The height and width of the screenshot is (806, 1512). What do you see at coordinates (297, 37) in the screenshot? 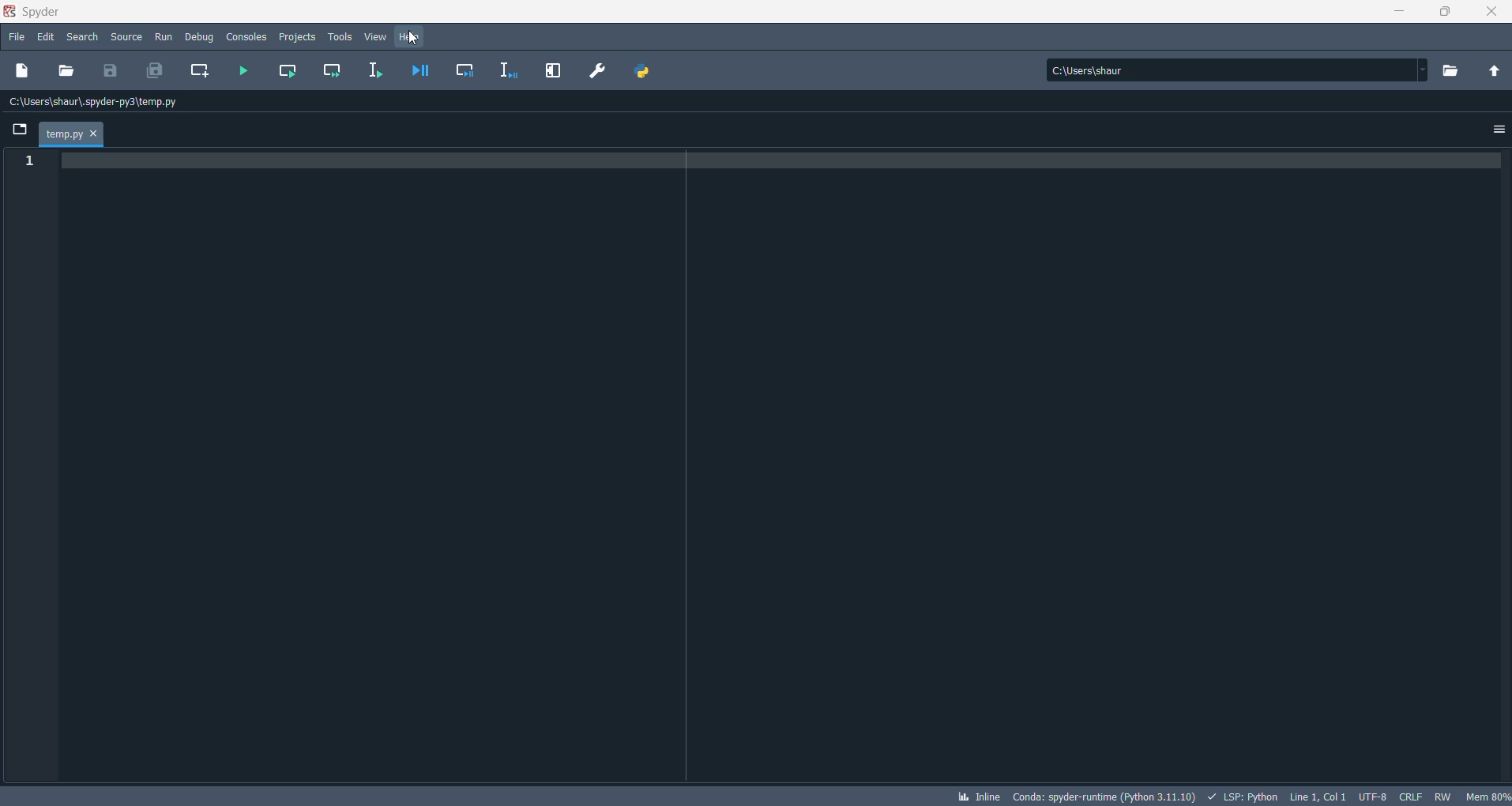
I see `projects` at bounding box center [297, 37].